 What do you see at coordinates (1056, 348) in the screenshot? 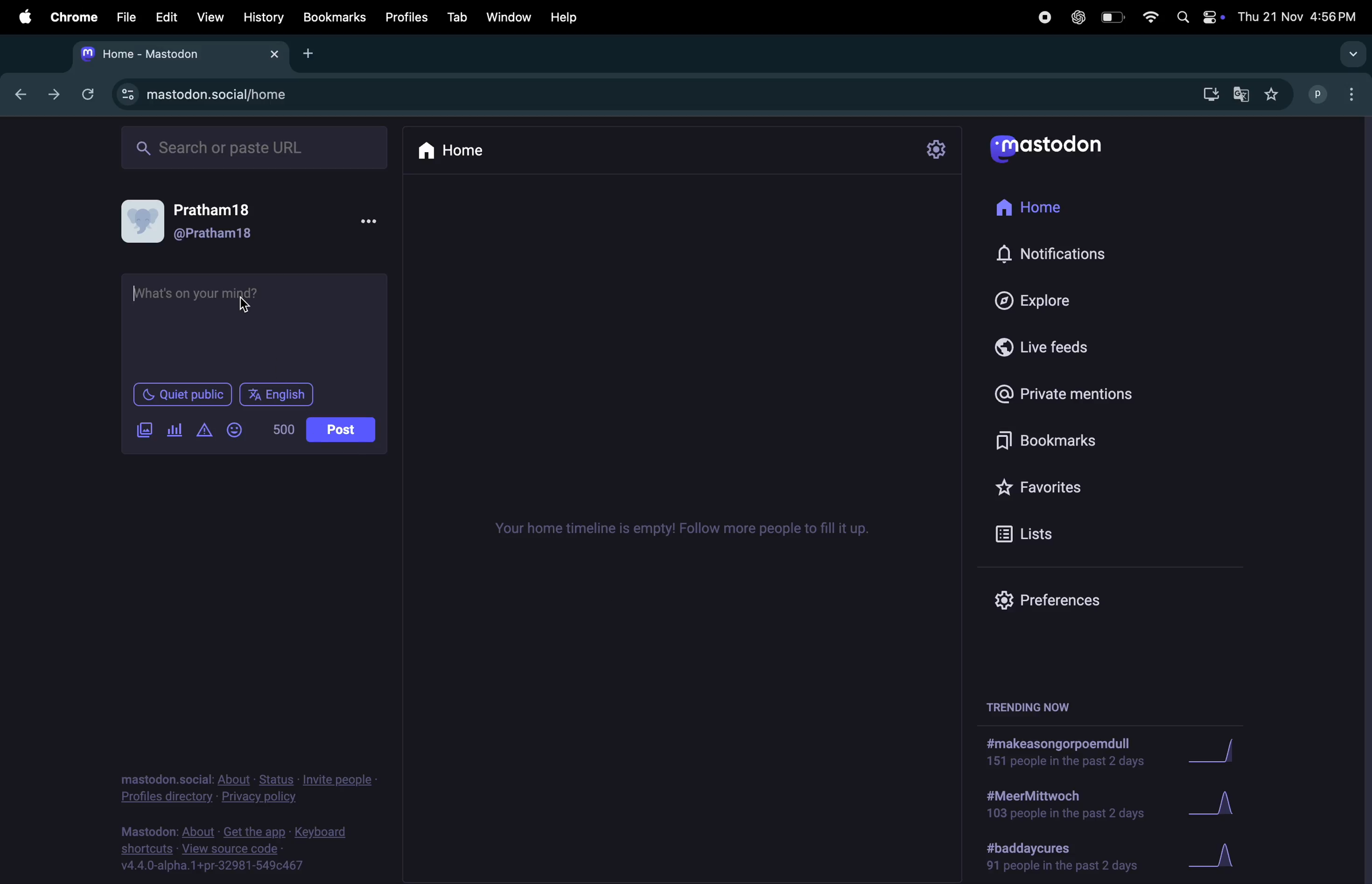
I see `live feeds` at bounding box center [1056, 348].